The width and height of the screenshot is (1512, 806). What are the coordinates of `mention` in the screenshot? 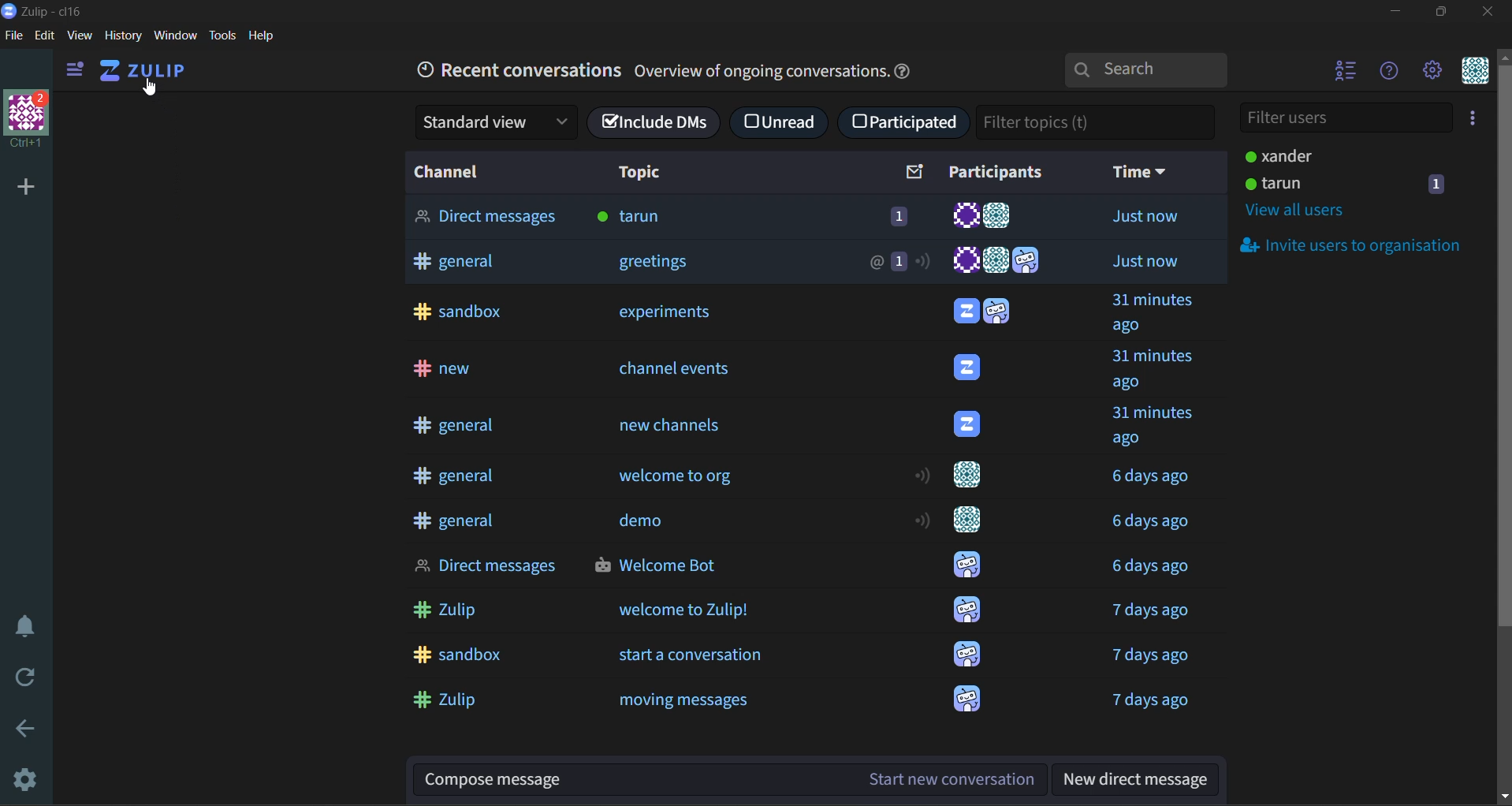 It's located at (877, 265).